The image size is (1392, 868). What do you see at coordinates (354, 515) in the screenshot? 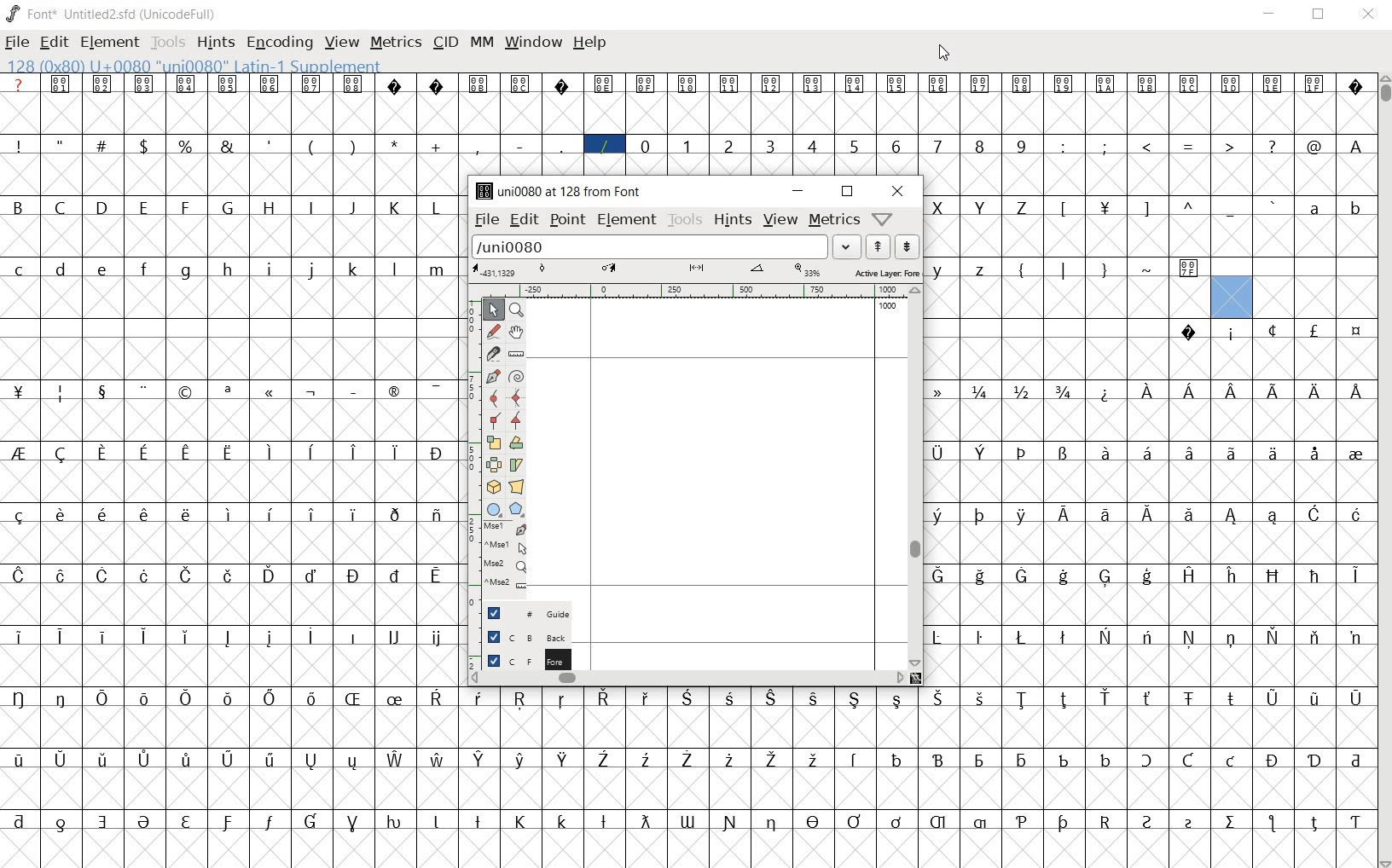
I see `glyph` at bounding box center [354, 515].